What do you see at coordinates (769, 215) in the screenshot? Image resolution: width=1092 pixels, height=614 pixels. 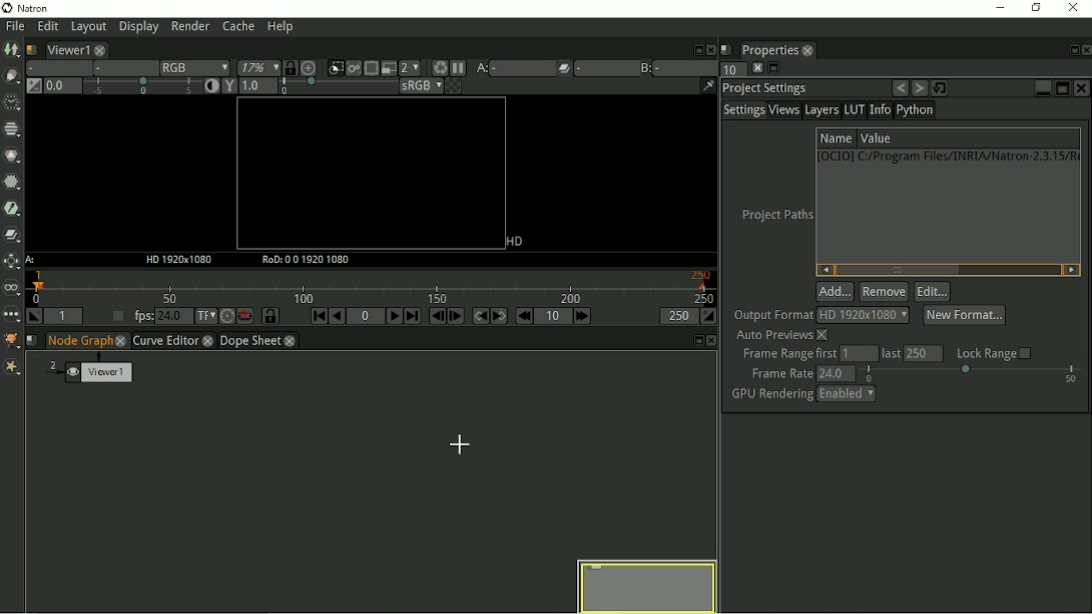 I see `Project paths` at bounding box center [769, 215].